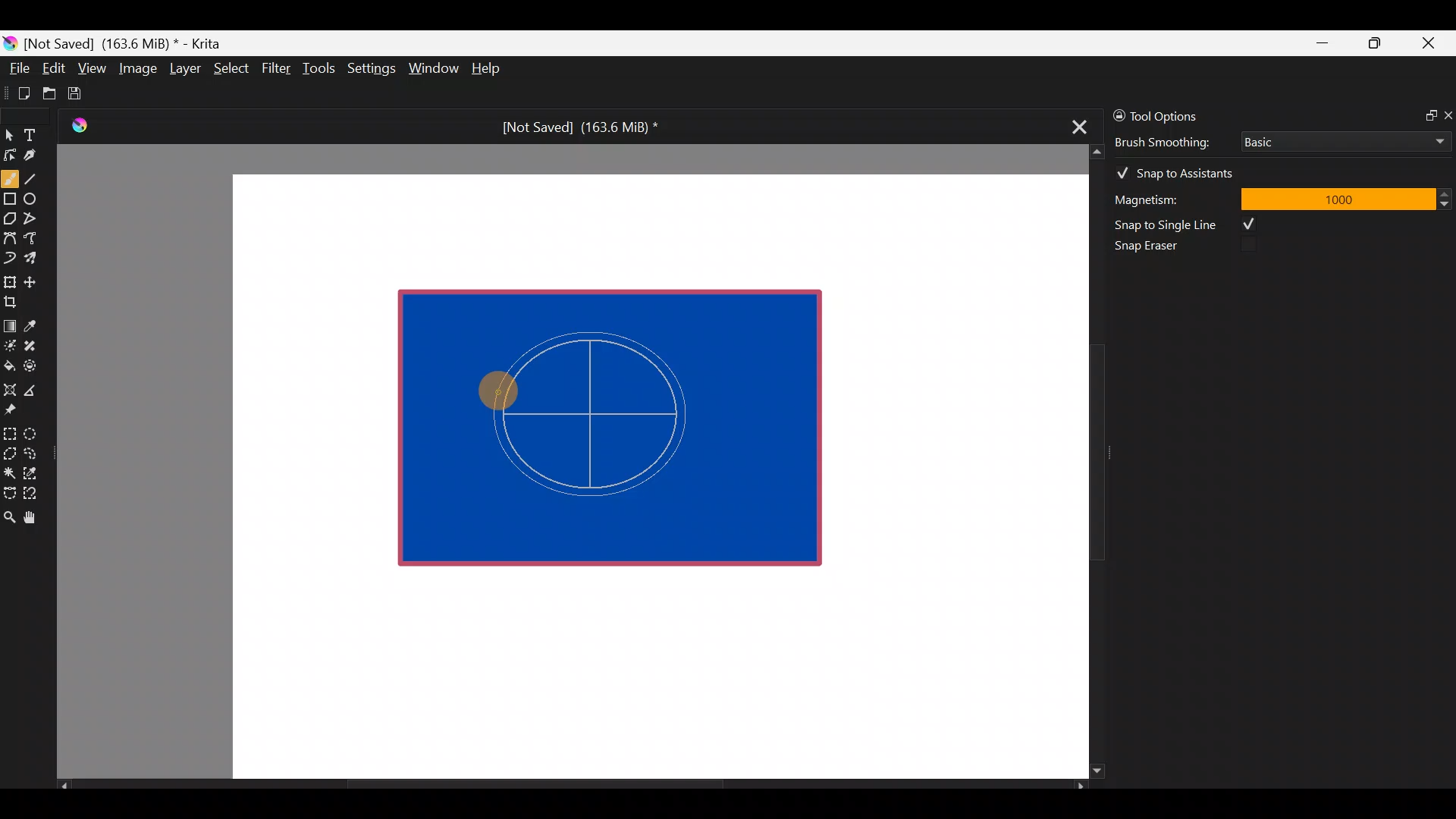 Image resolution: width=1456 pixels, height=819 pixels. I want to click on Pan tool, so click(36, 518).